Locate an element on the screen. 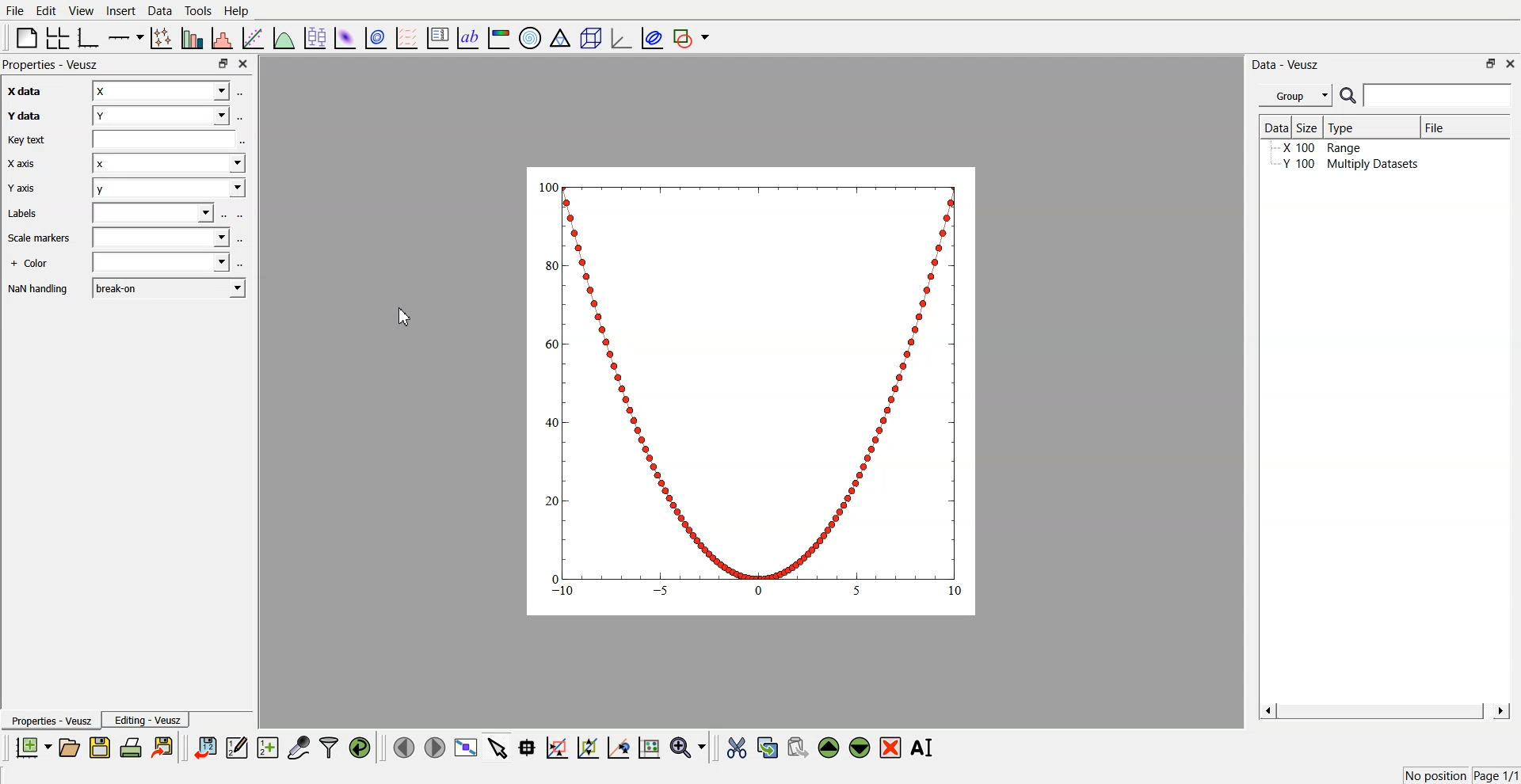  move the selected widgets up is located at coordinates (830, 748).